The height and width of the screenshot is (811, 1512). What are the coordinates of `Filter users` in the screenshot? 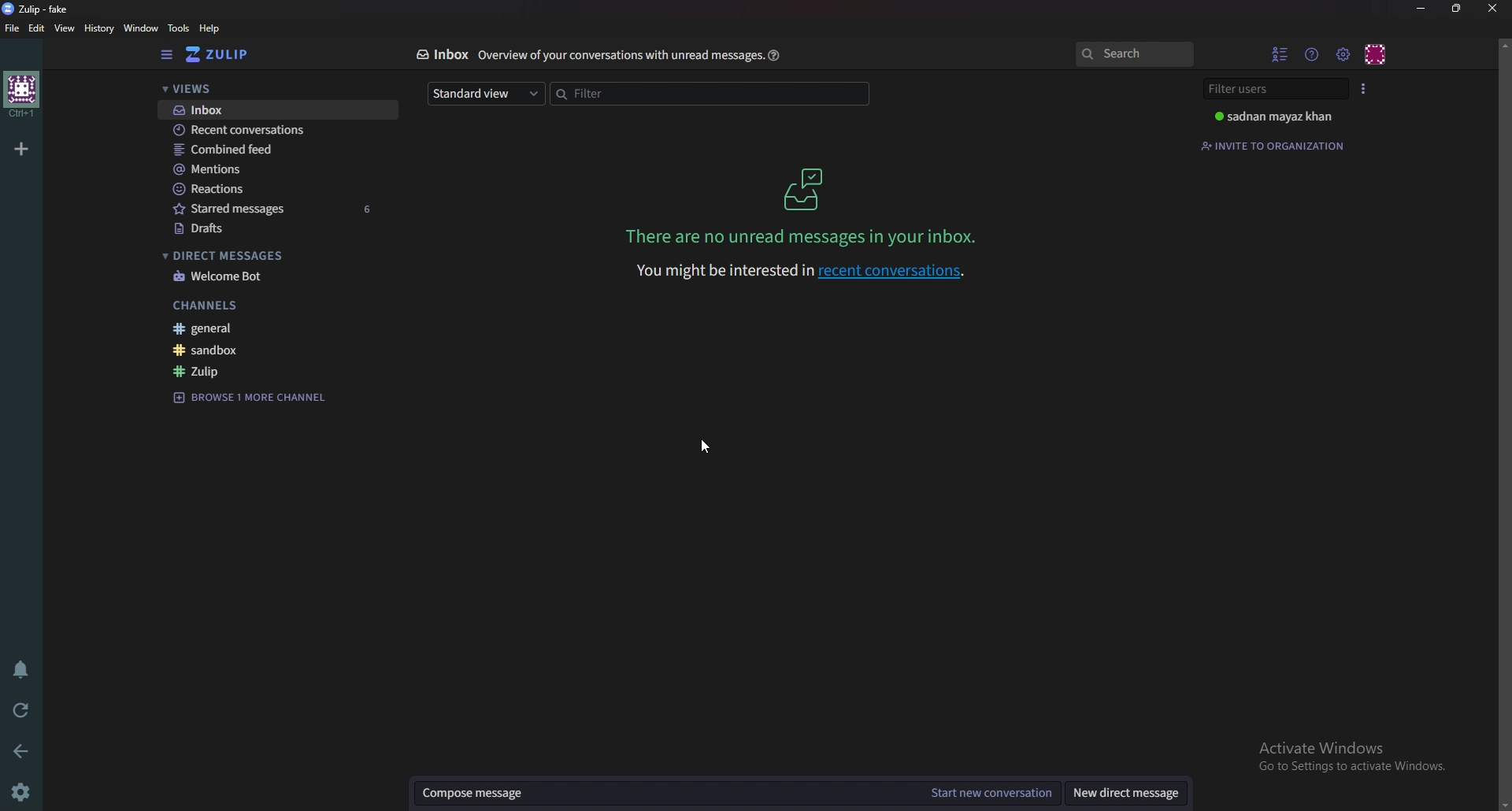 It's located at (1275, 87).